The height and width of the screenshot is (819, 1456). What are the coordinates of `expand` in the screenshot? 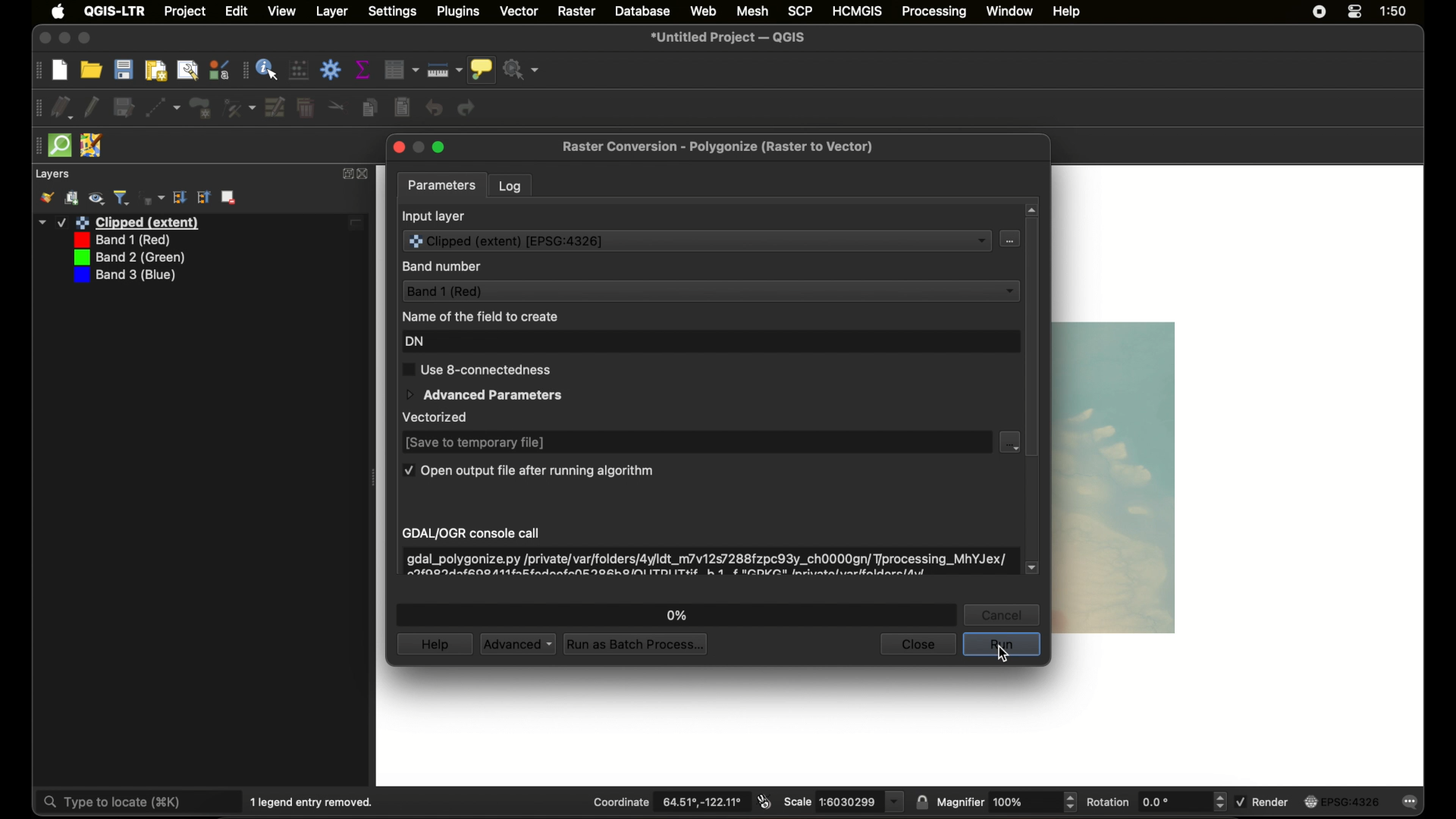 It's located at (346, 174).